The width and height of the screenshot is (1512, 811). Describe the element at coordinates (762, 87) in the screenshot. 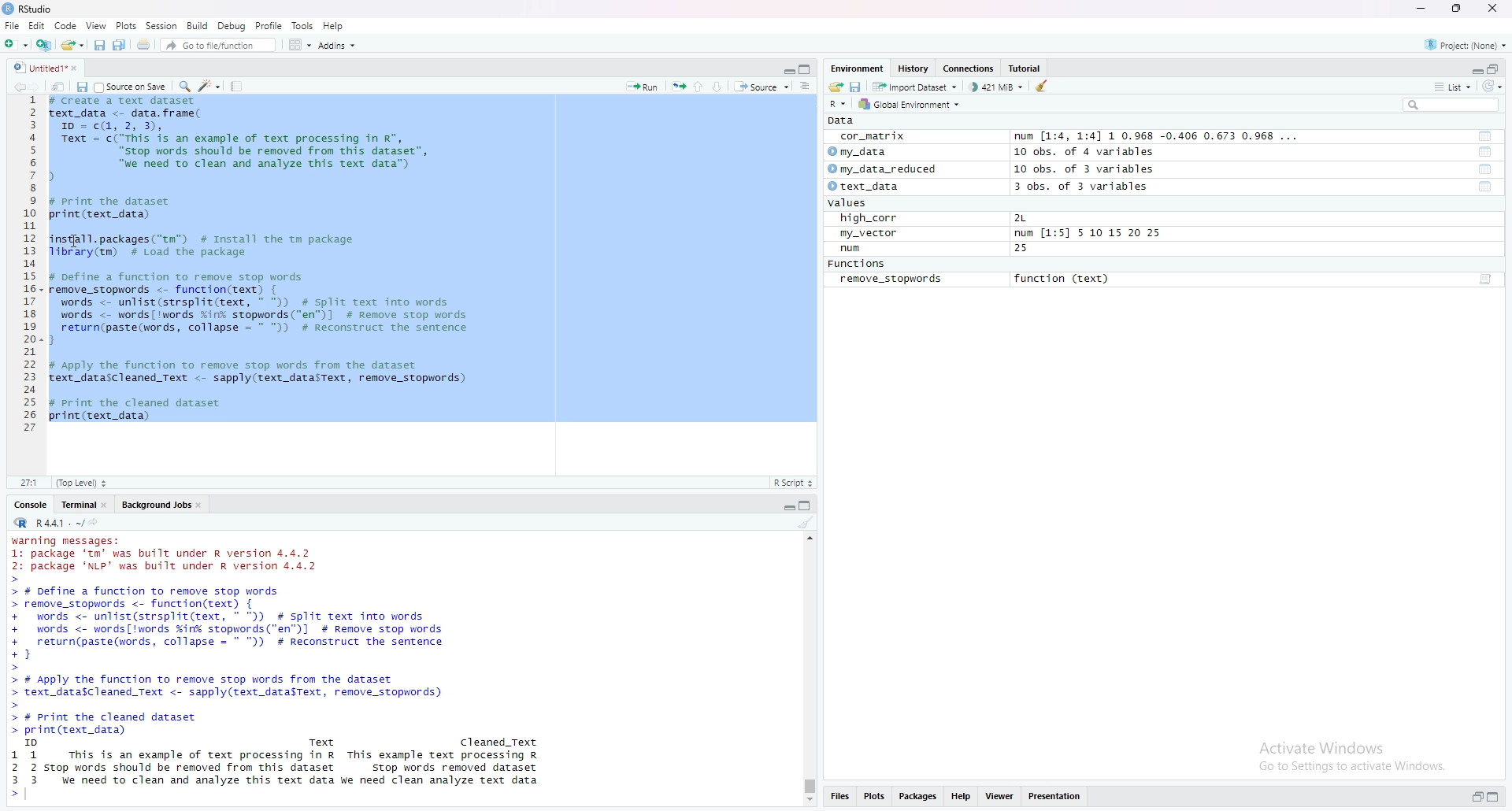

I see `source` at that location.